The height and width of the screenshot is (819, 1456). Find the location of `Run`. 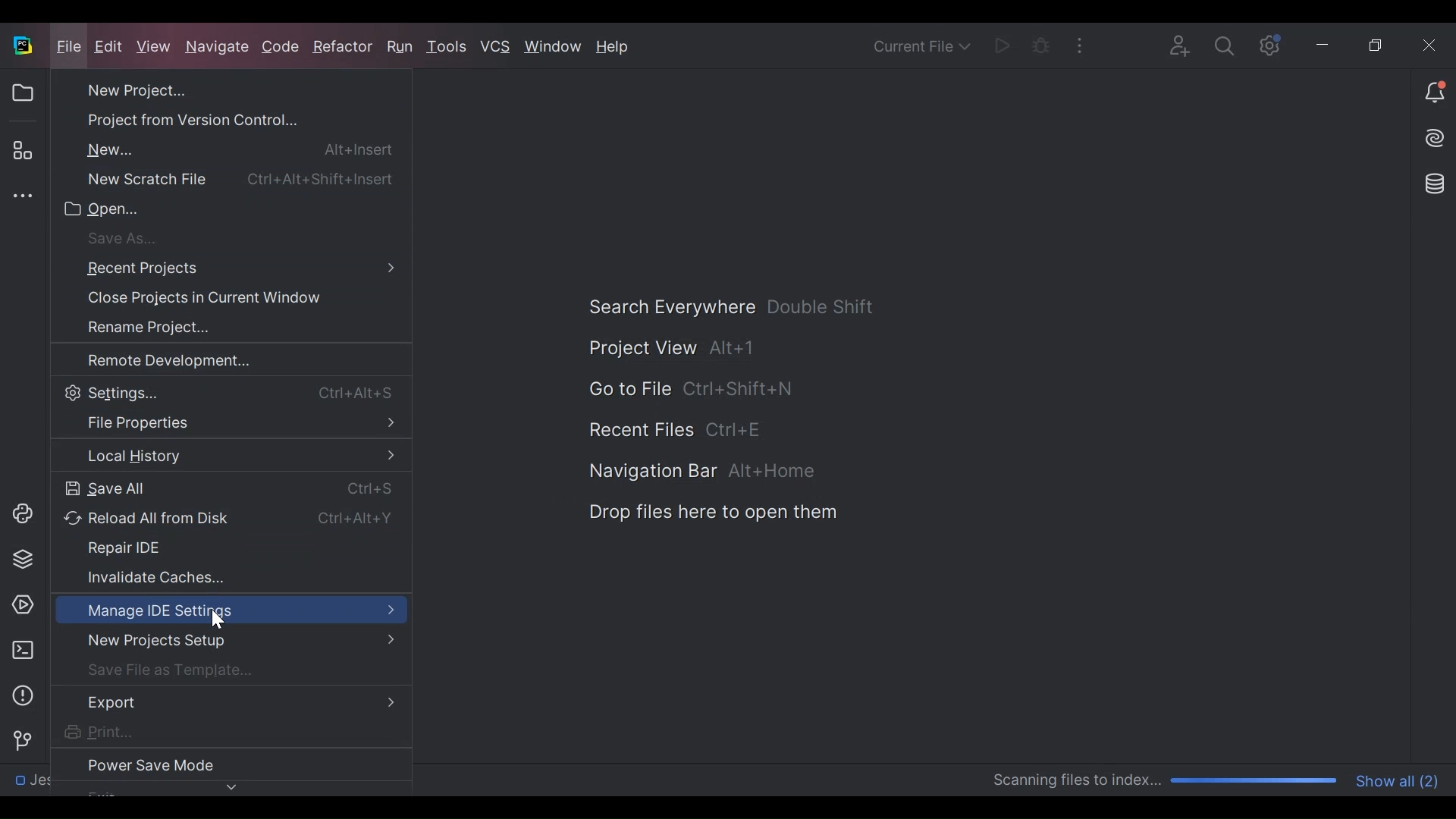

Run is located at coordinates (402, 47).